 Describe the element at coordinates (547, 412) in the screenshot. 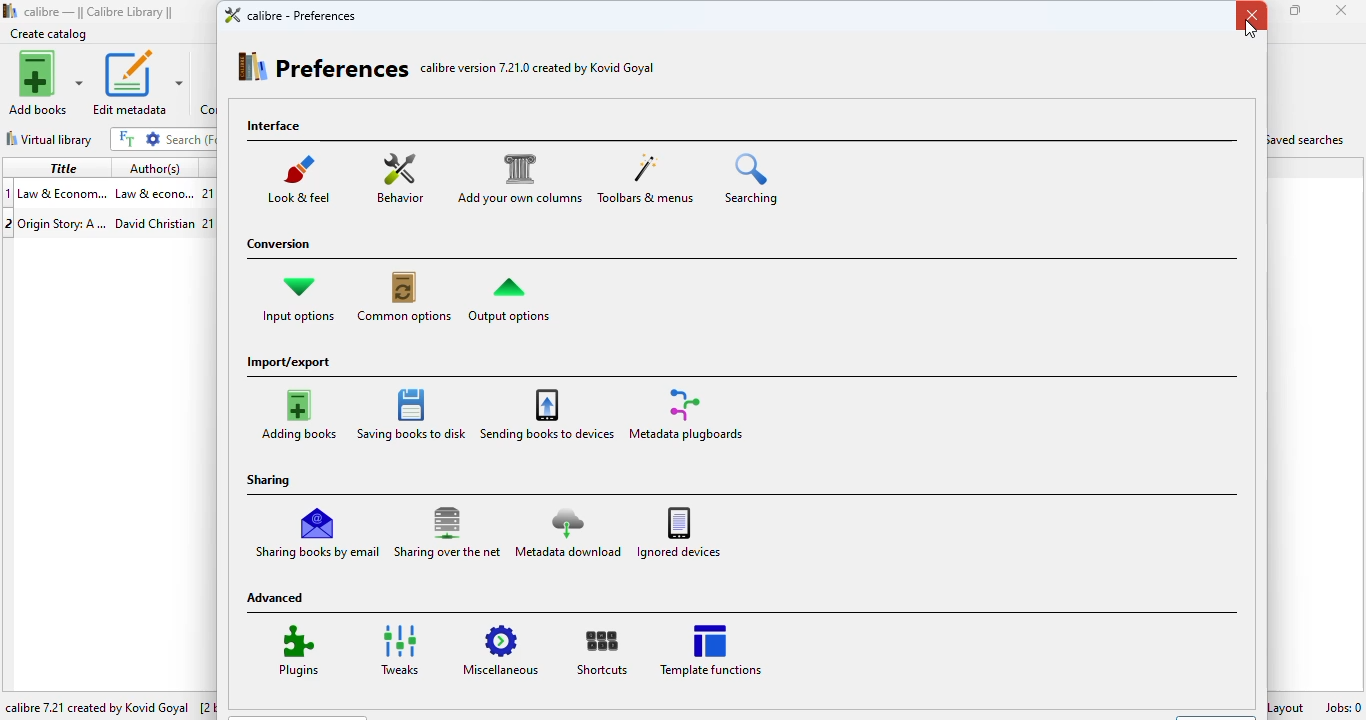

I see `sending books to devices` at that location.